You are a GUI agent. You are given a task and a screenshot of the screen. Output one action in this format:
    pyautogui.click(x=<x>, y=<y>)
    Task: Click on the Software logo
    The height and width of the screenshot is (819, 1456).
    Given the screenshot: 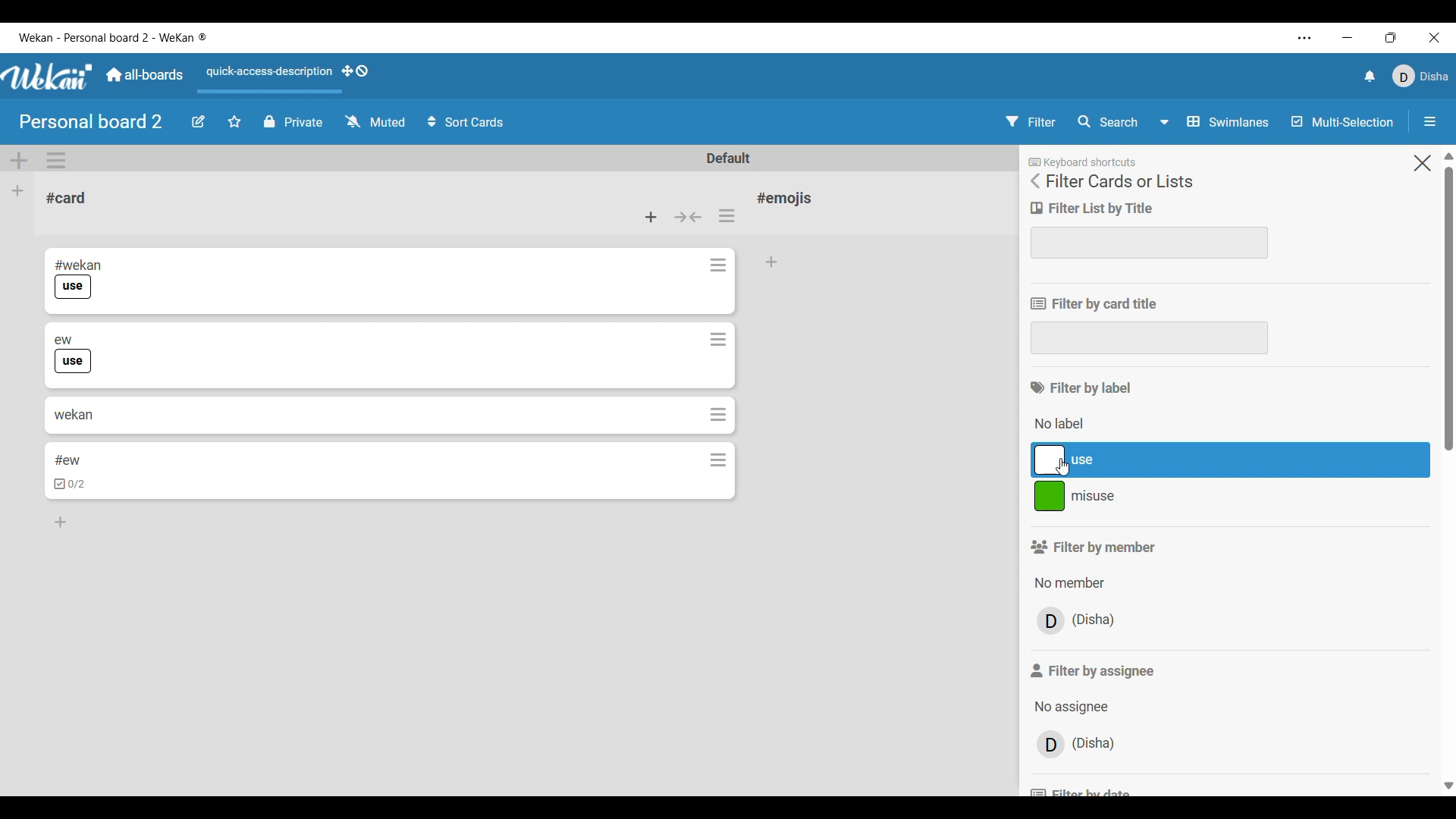 What is the action you would take?
    pyautogui.click(x=48, y=77)
    